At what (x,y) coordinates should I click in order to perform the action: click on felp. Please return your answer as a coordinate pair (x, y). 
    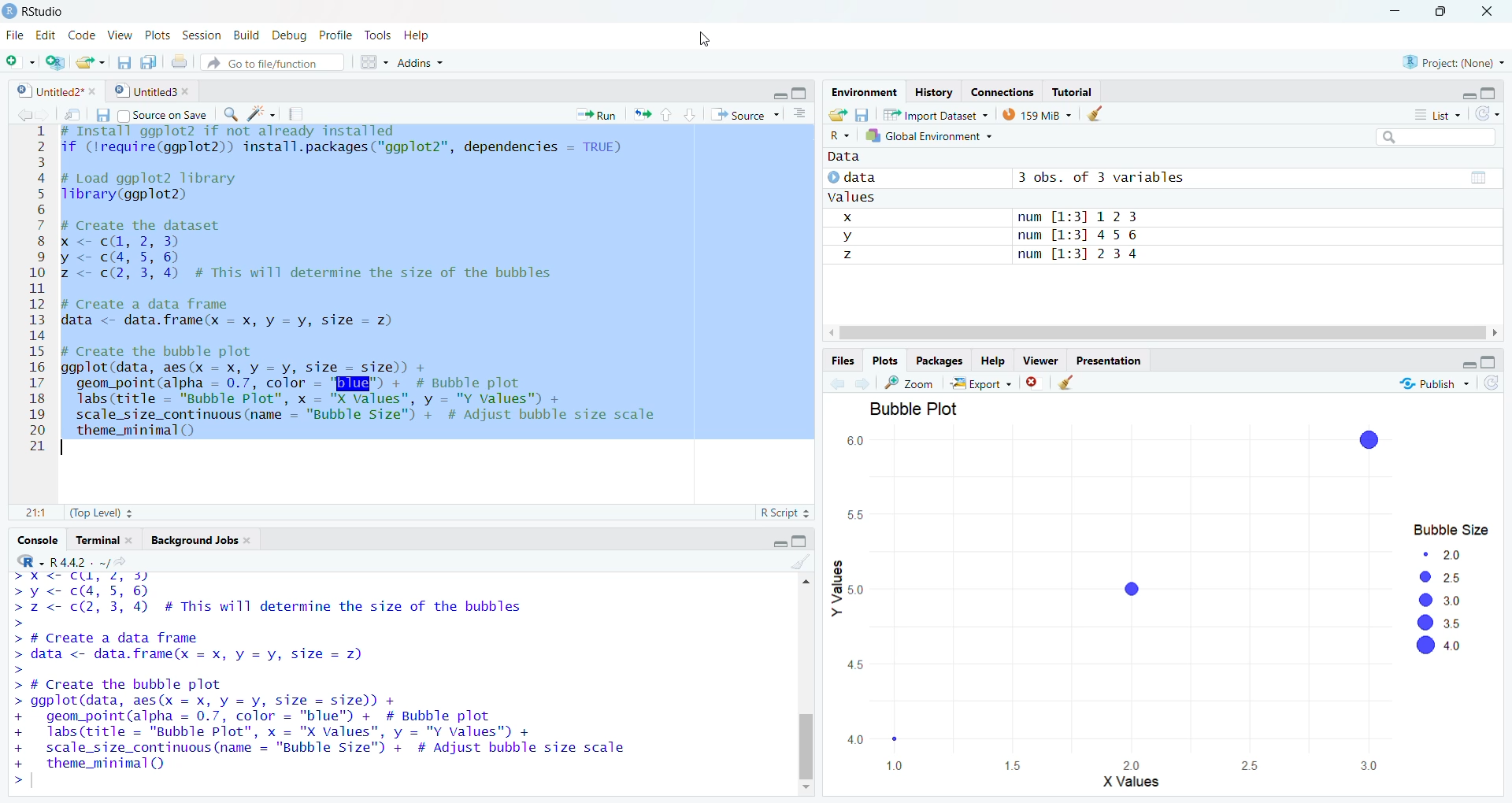
    Looking at the image, I should click on (994, 360).